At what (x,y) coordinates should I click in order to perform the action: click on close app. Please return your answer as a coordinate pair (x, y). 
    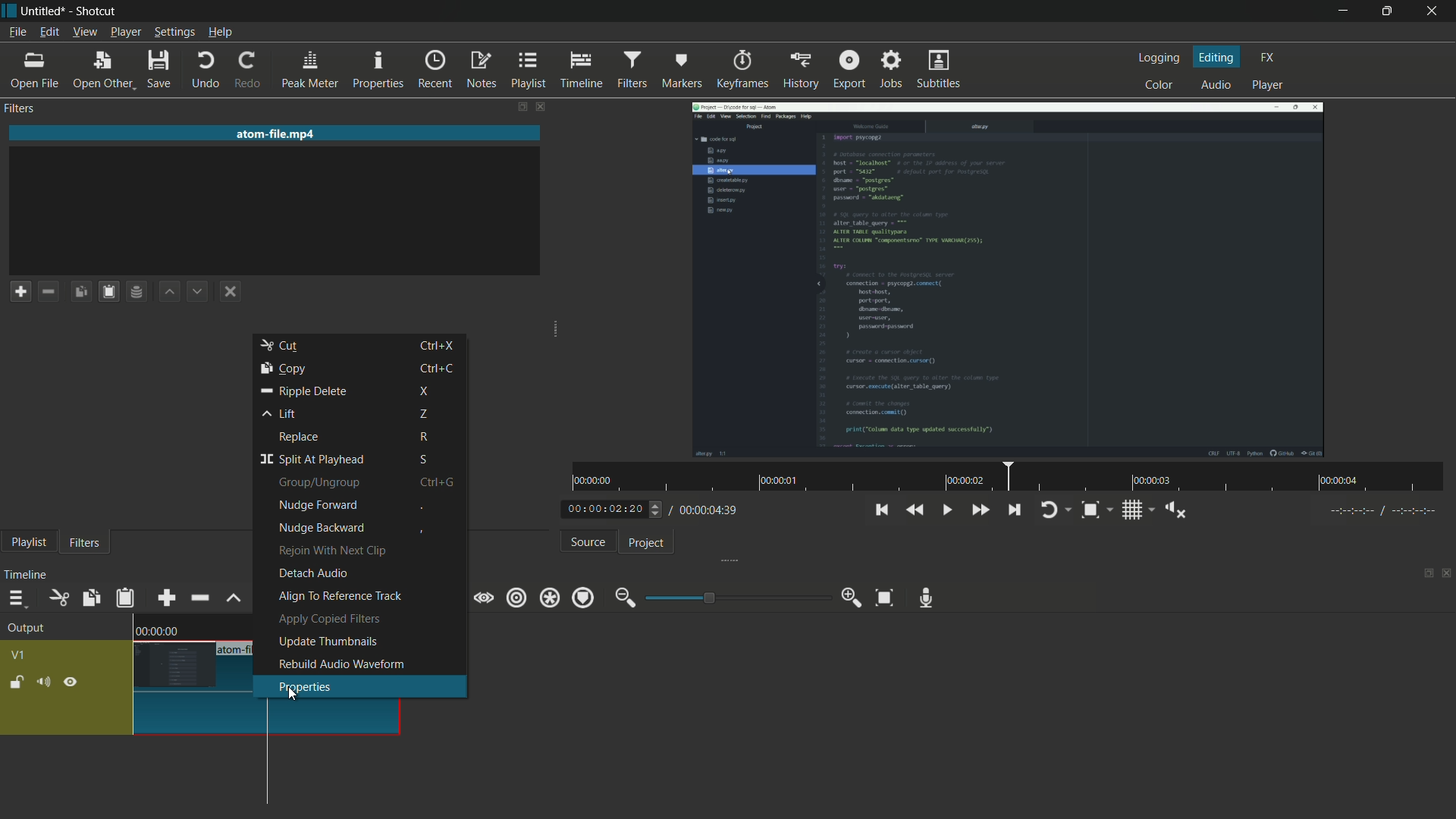
    Looking at the image, I should click on (1436, 11).